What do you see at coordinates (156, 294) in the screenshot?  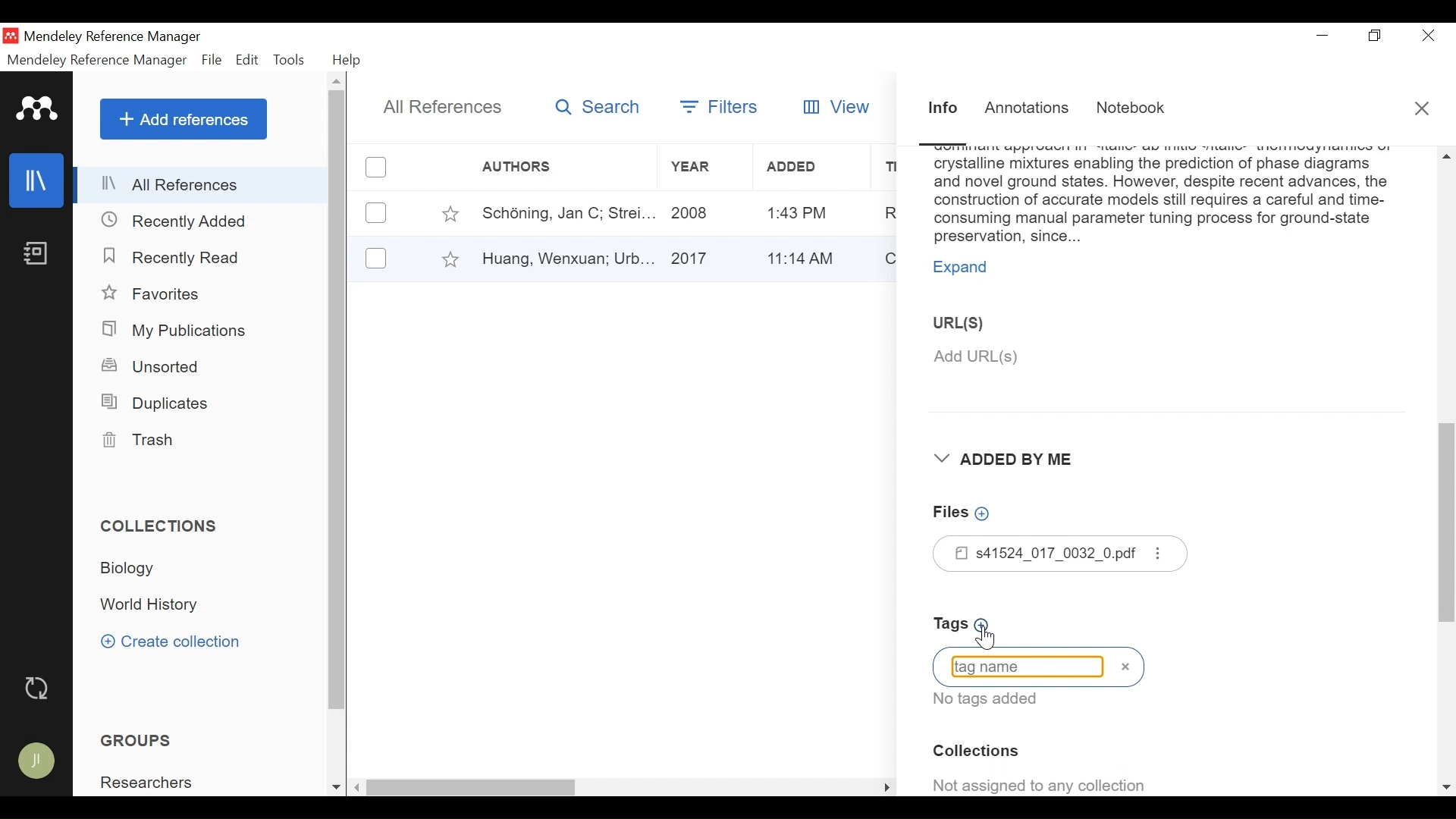 I see `Favorites` at bounding box center [156, 294].